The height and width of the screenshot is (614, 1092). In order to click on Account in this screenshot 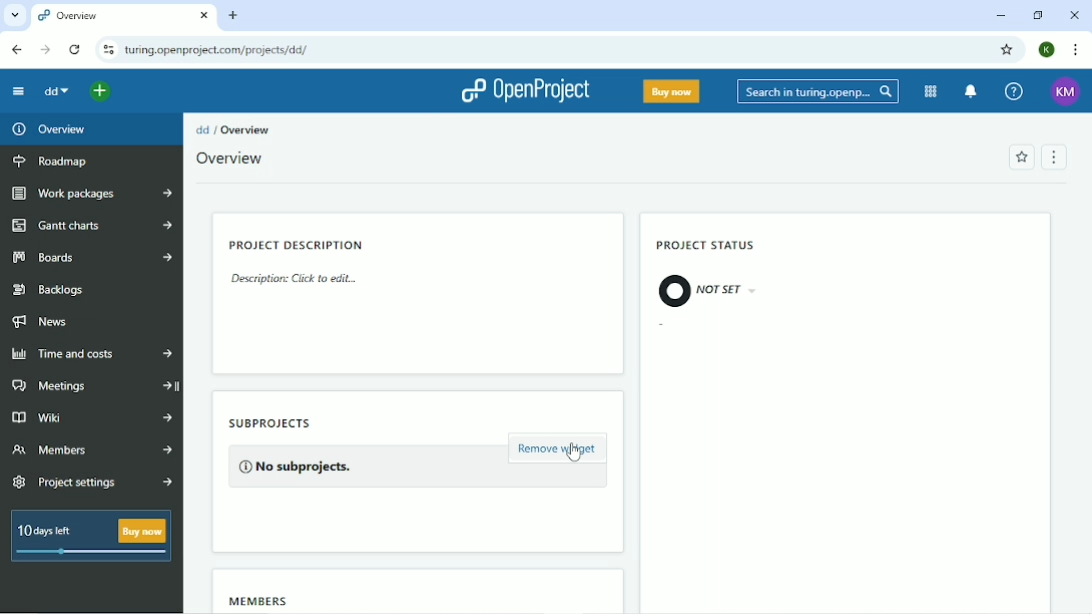, I will do `click(1064, 92)`.